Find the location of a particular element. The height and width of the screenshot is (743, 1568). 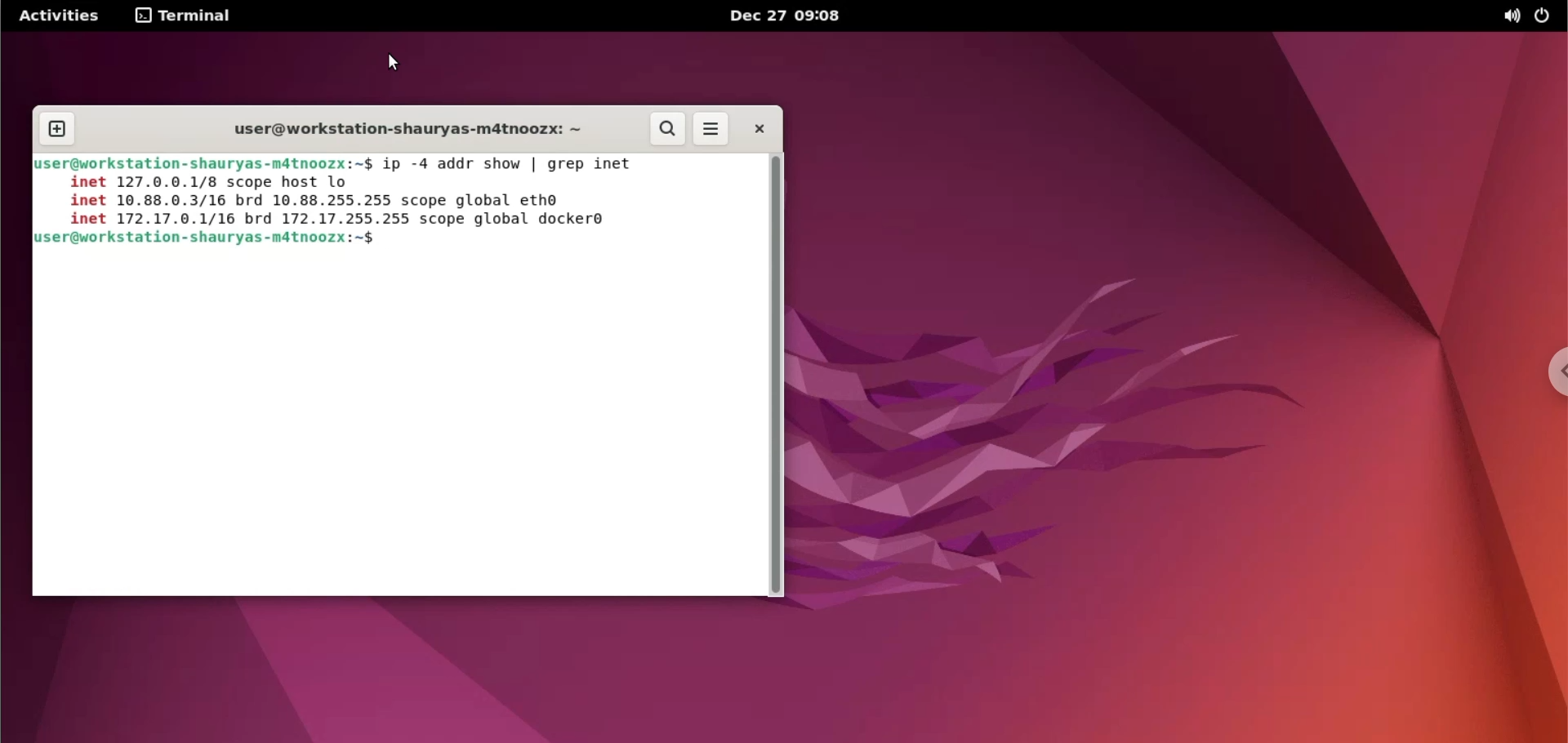

chrome options is located at coordinates (1554, 374).